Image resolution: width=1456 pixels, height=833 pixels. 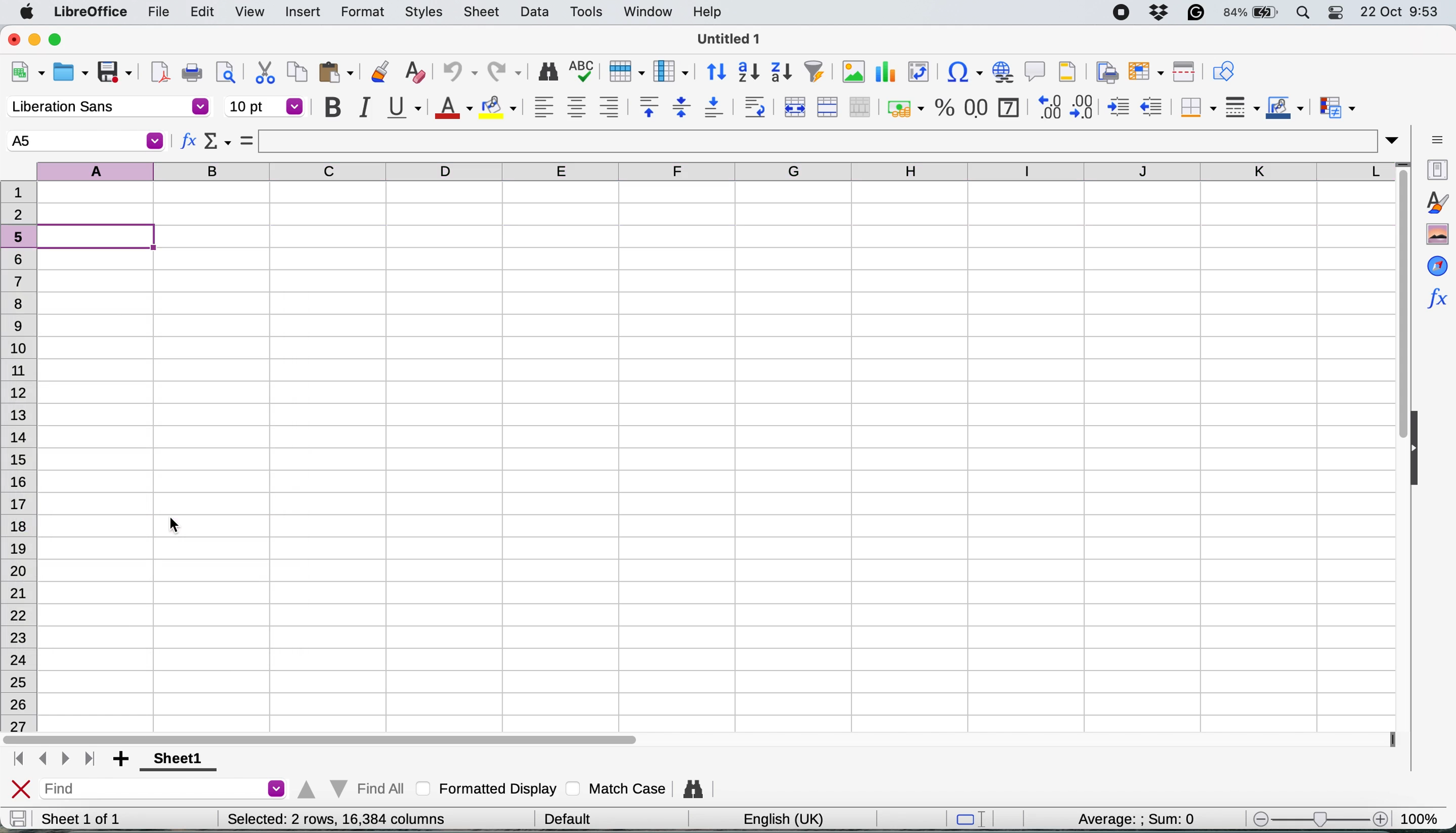 What do you see at coordinates (749, 73) in the screenshot?
I see `sort ascending` at bounding box center [749, 73].